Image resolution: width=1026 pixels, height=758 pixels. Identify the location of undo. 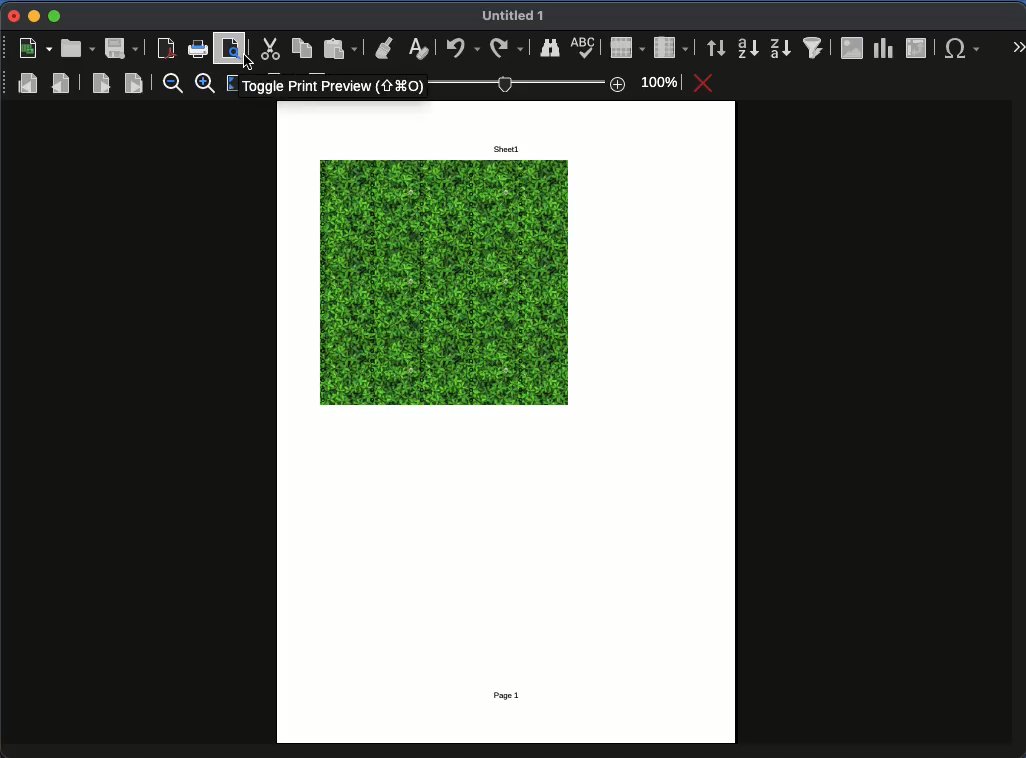
(463, 49).